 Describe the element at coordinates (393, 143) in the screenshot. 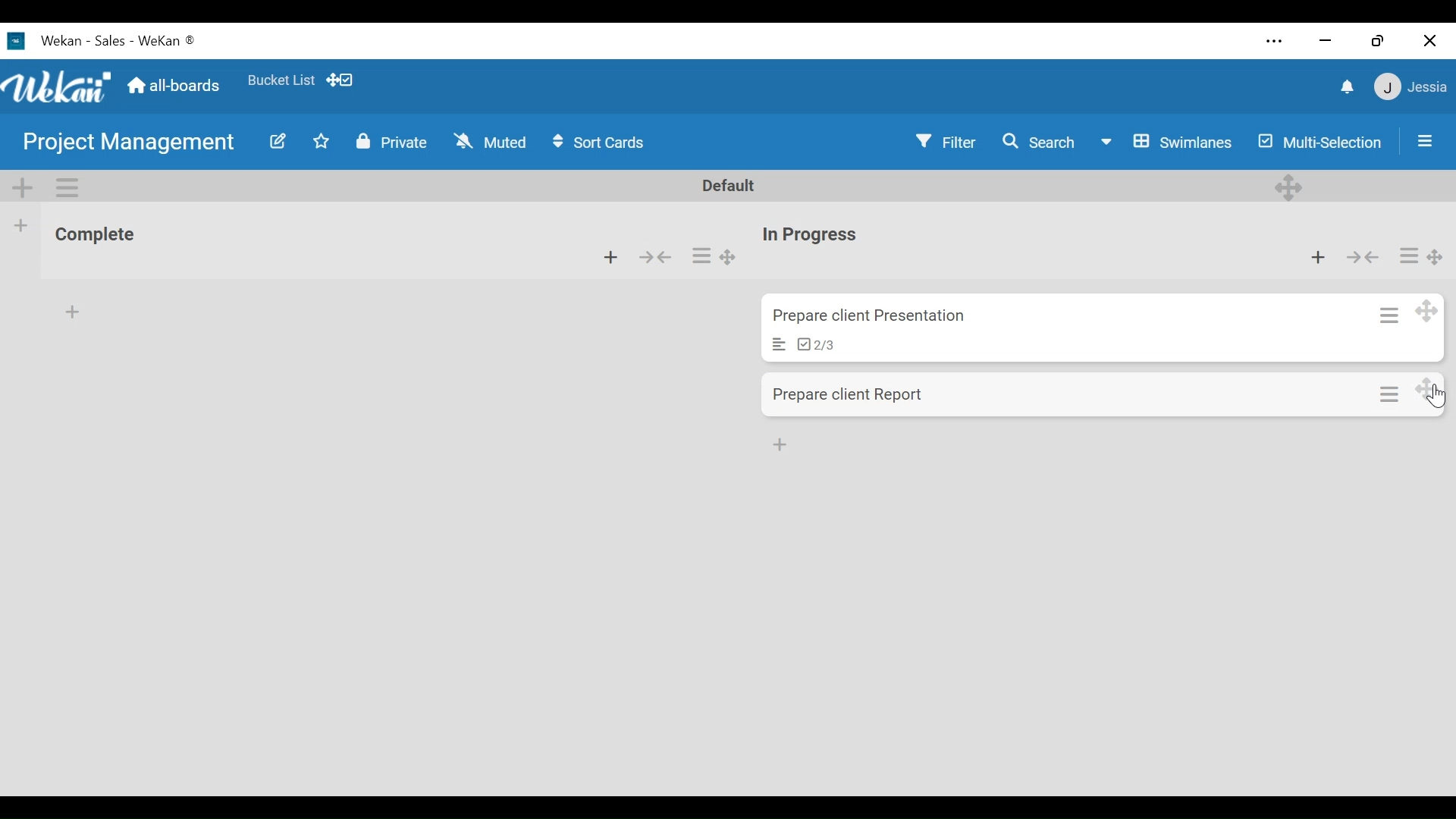

I see `Private` at that location.